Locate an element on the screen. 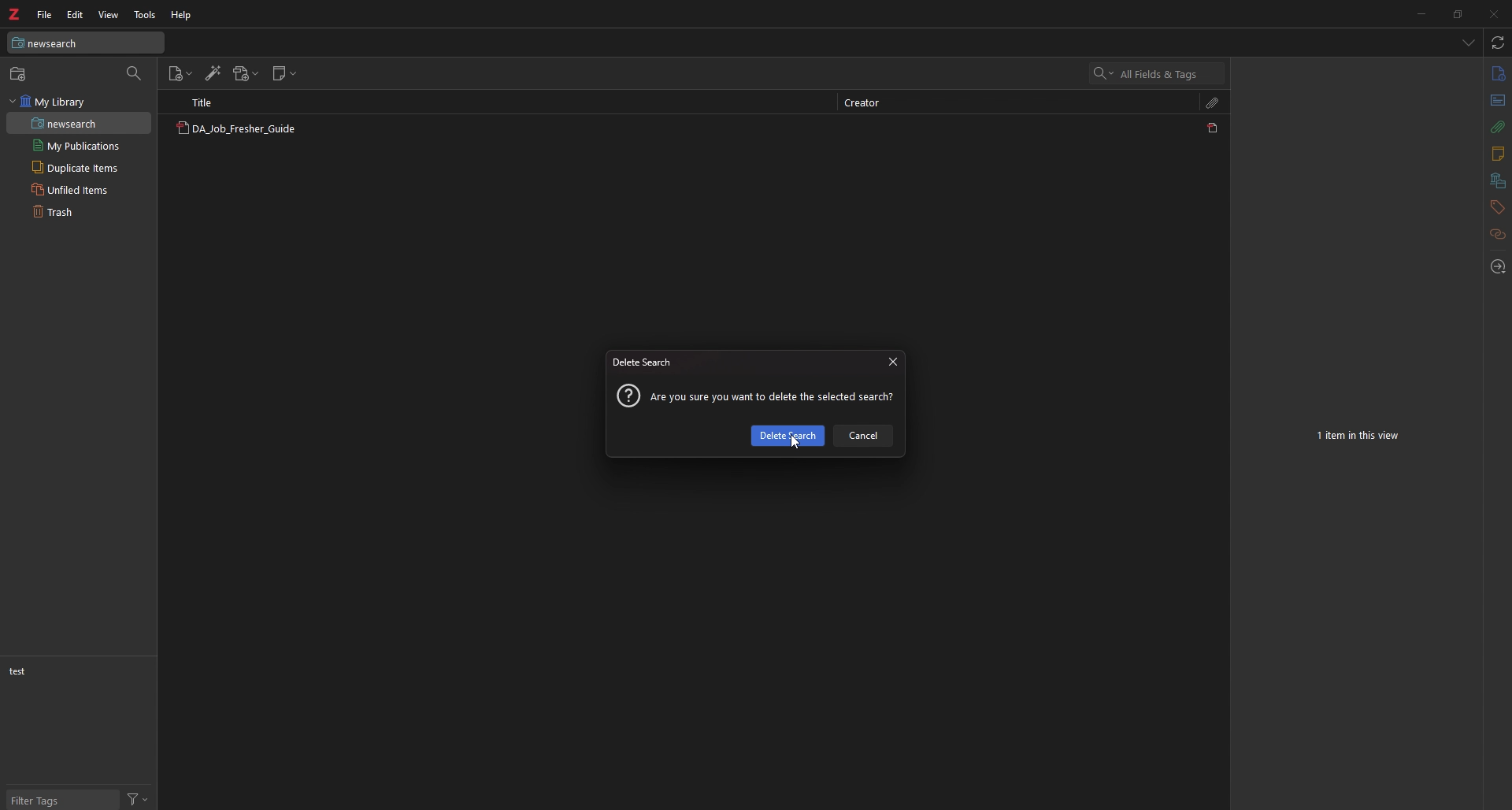 This screenshot has width=1512, height=810. Actions is located at coordinates (139, 800).